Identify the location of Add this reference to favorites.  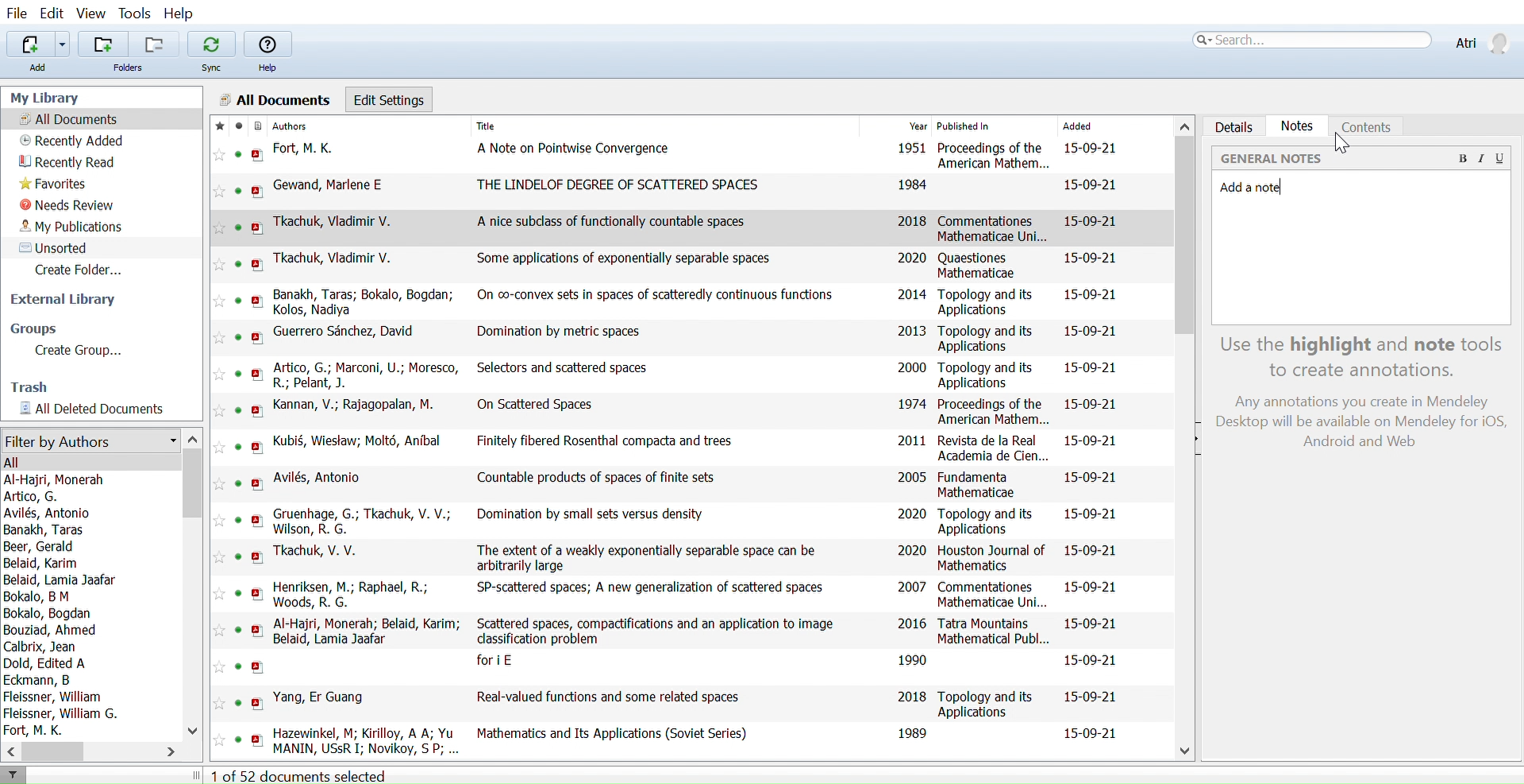
(219, 629).